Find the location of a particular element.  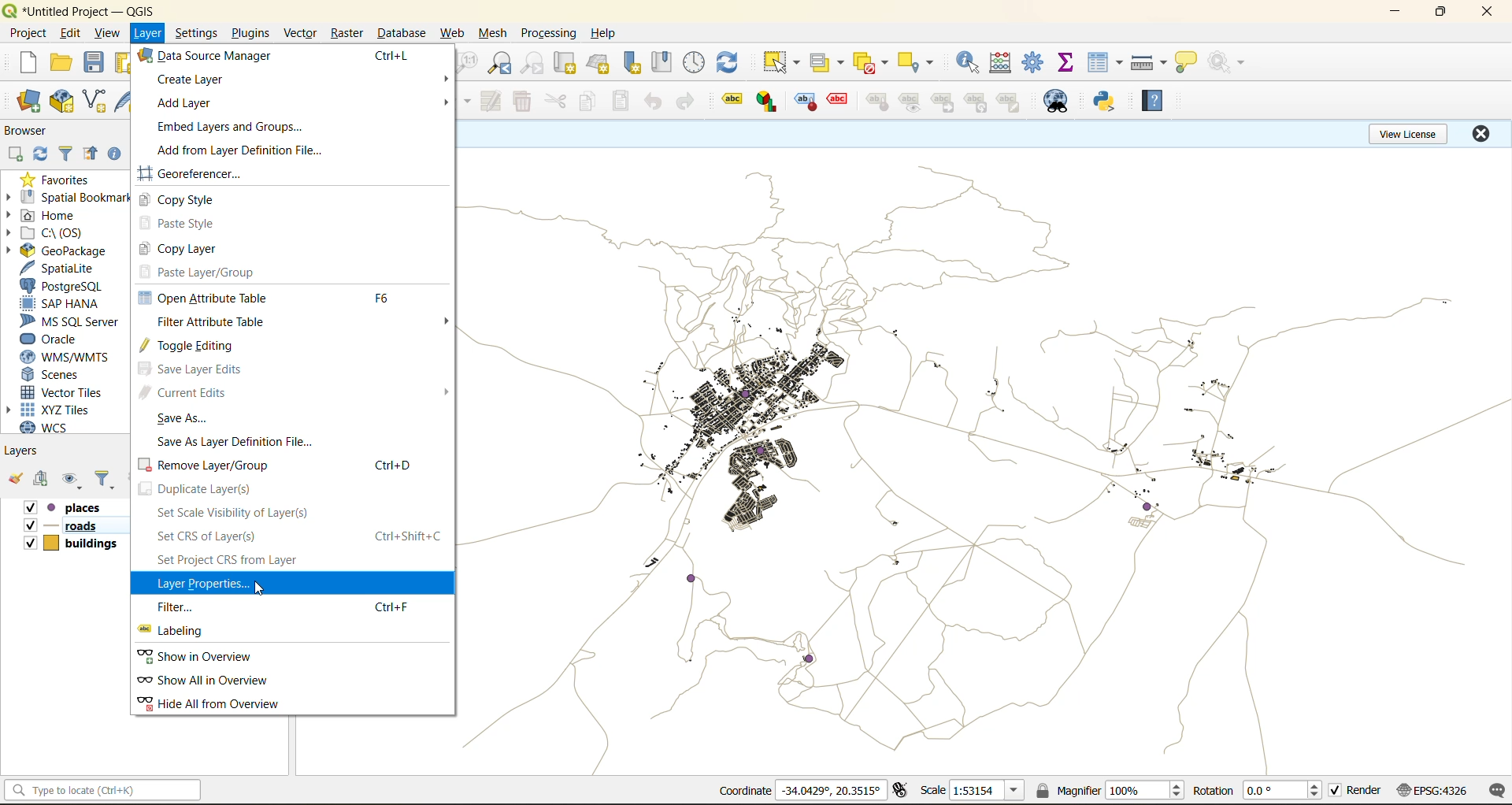

new map view is located at coordinates (565, 64).